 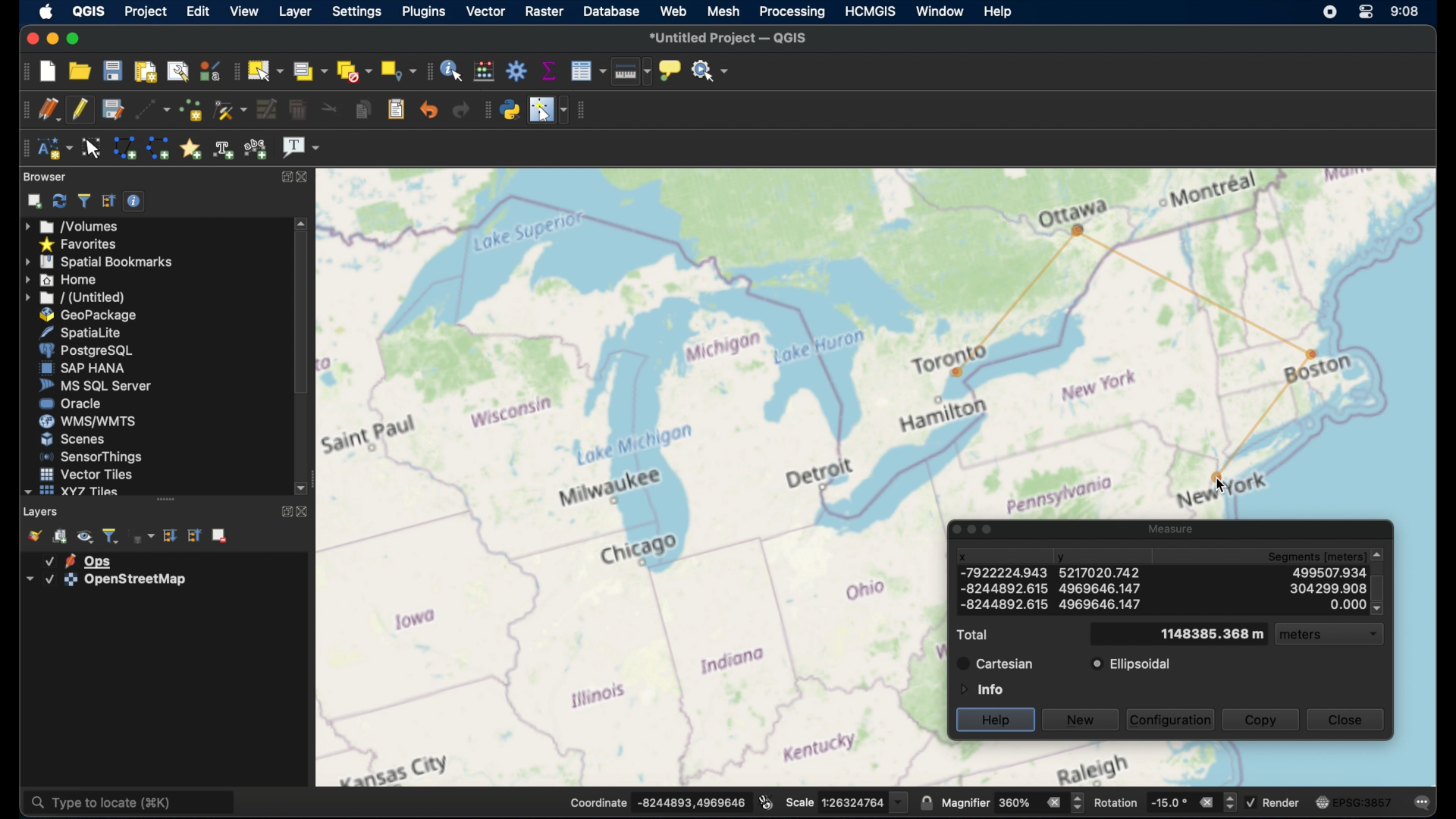 I want to click on text annotation along line, so click(x=258, y=148).